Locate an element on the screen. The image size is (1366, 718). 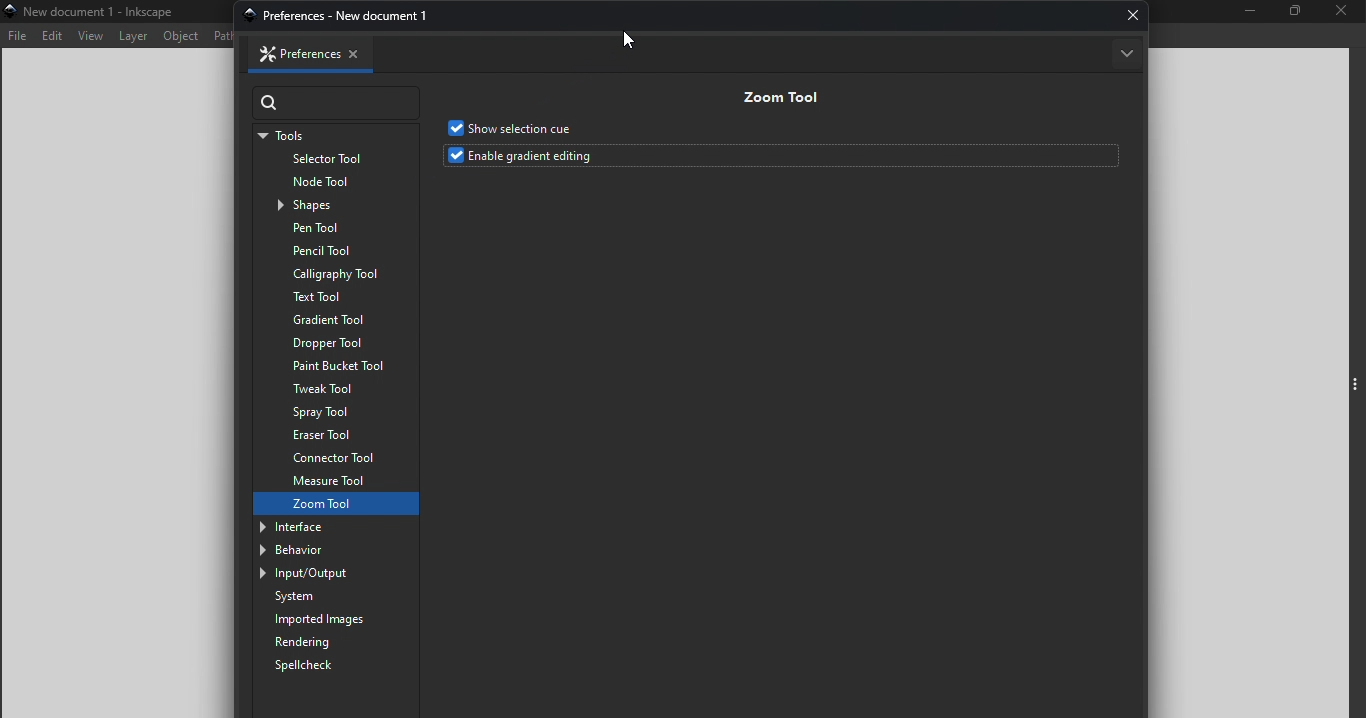
Text tool is located at coordinates (319, 296).